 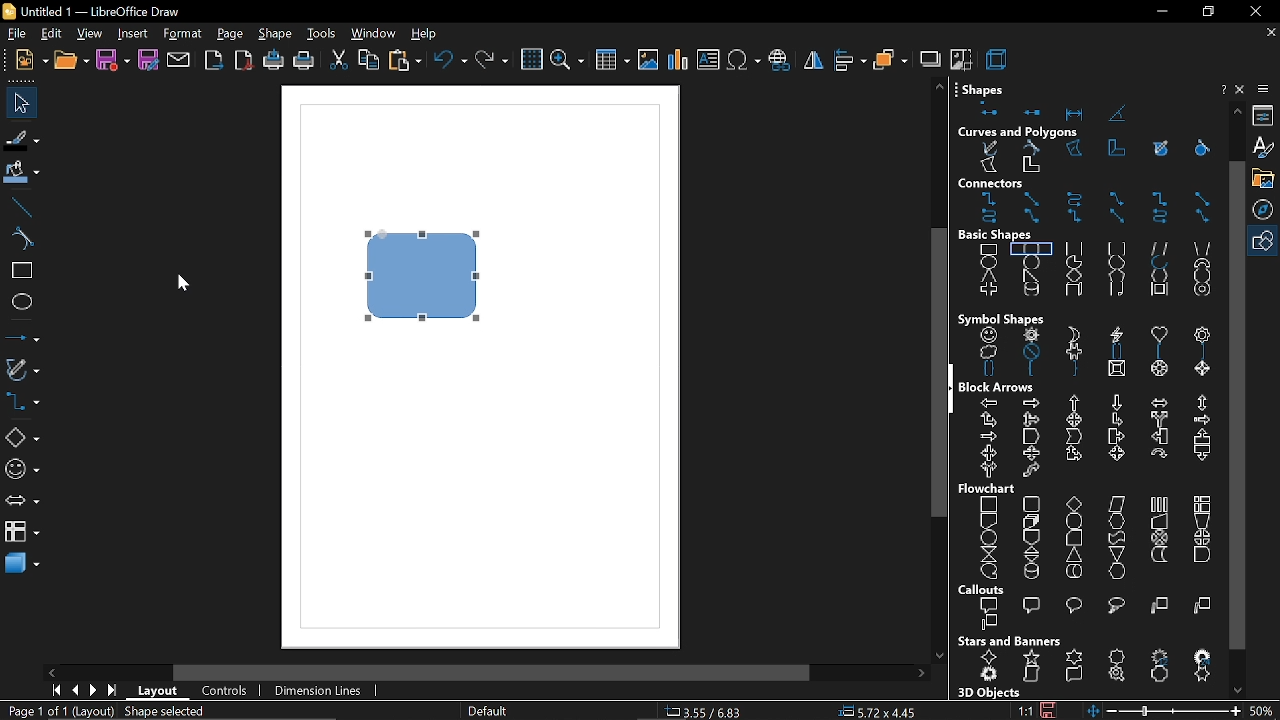 I want to click on page, so click(x=231, y=35).